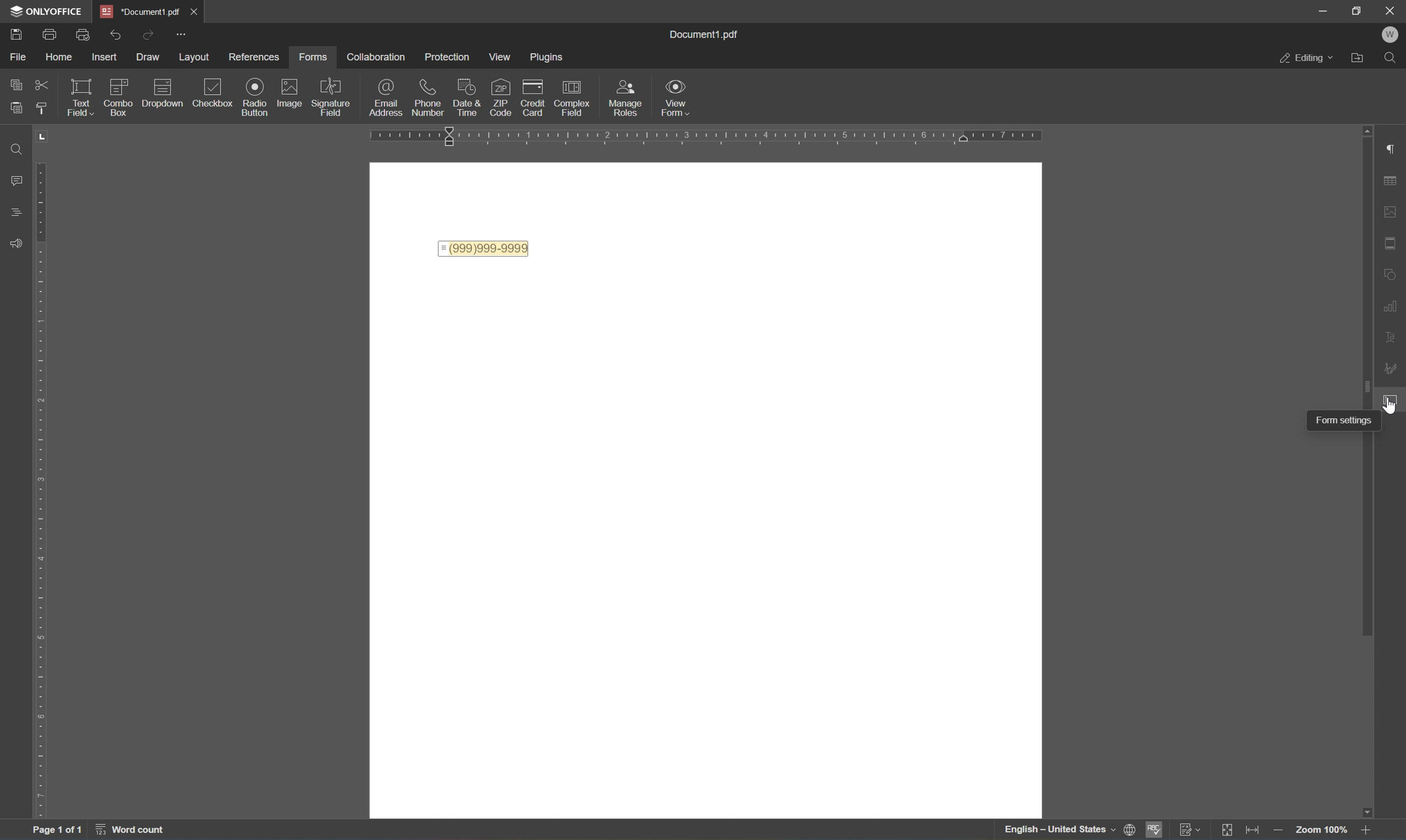 This screenshot has height=840, width=1406. I want to click on comments, so click(14, 179).